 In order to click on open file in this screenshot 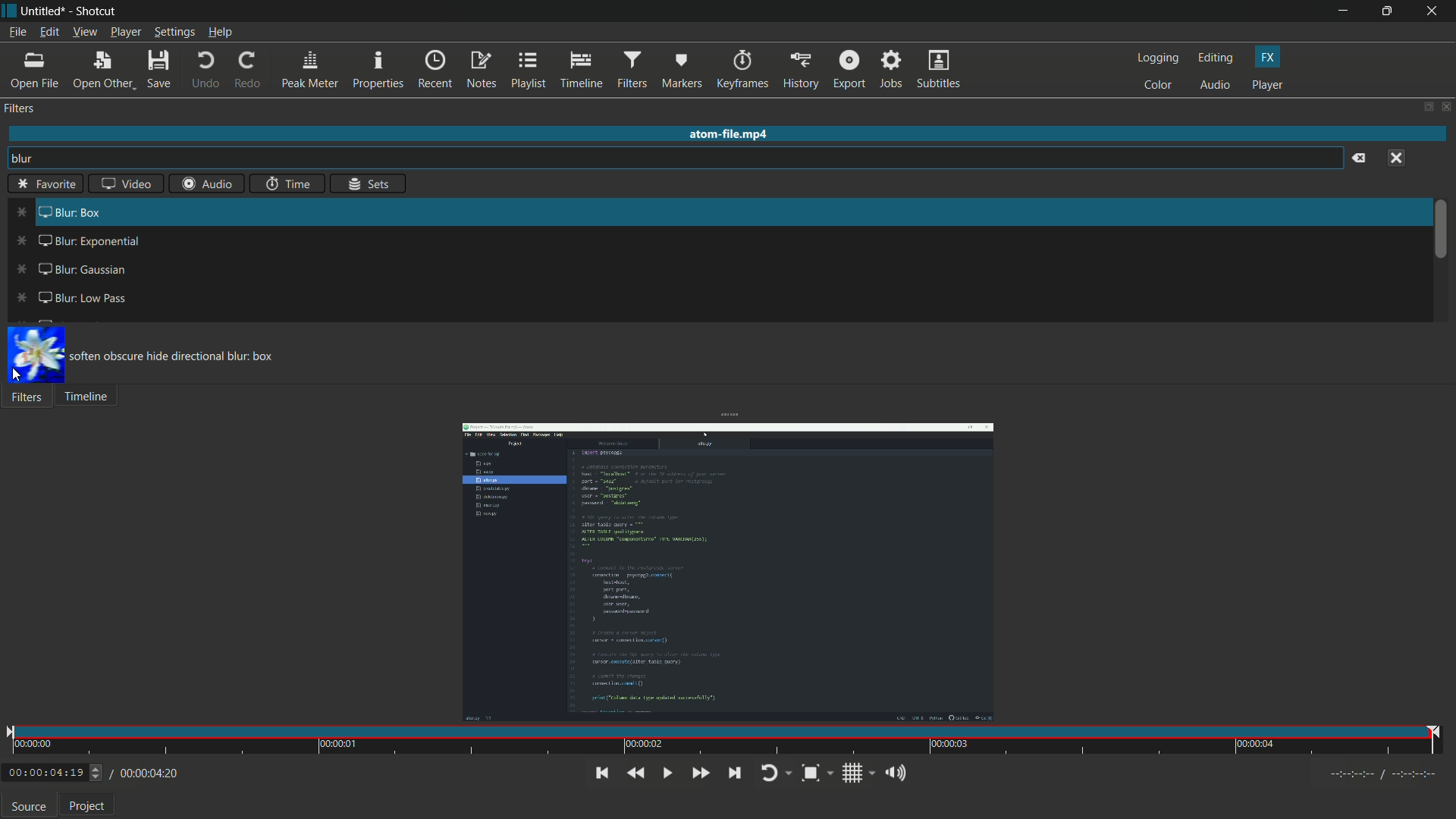, I will do `click(35, 71)`.